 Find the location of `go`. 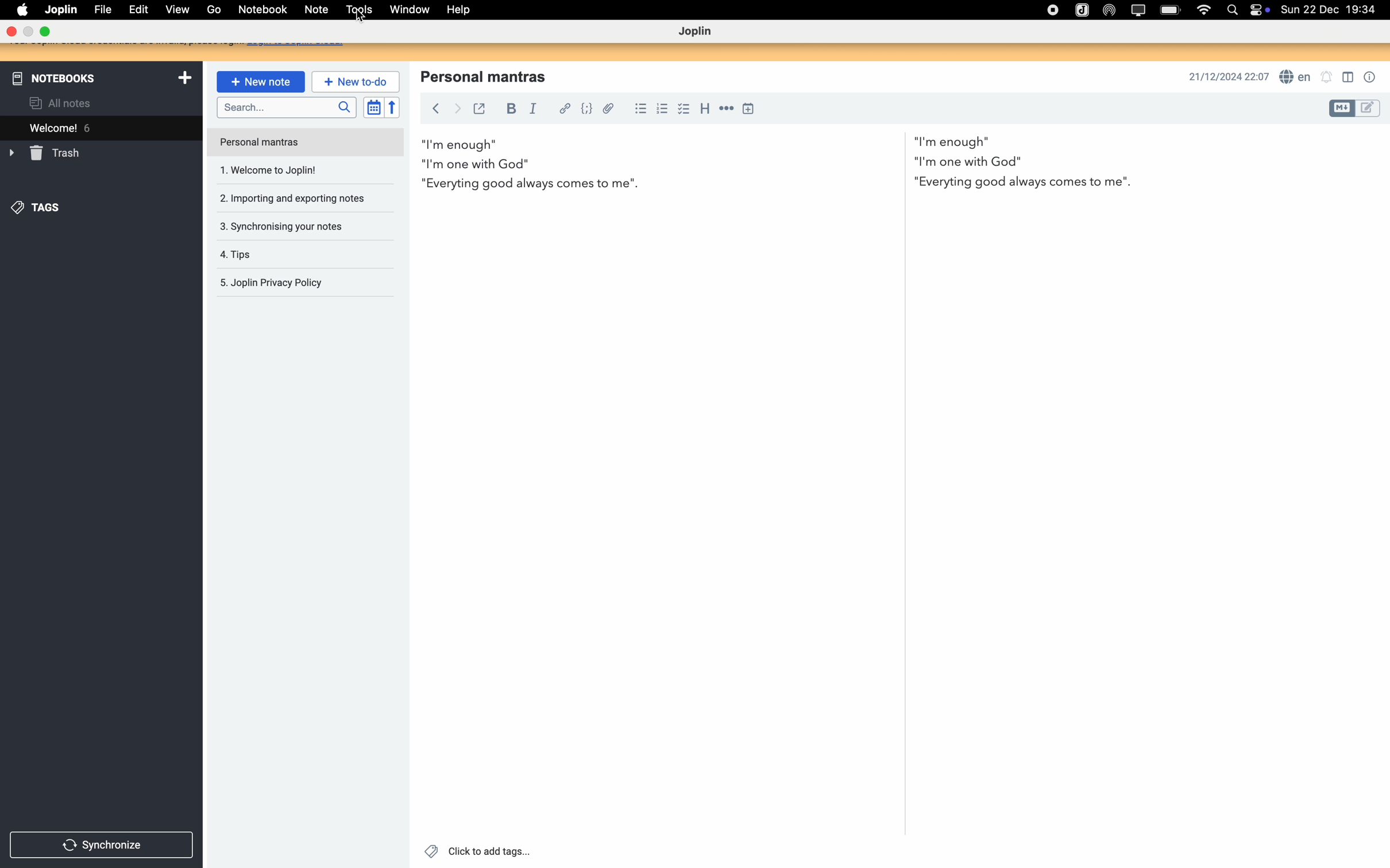

go is located at coordinates (213, 10).